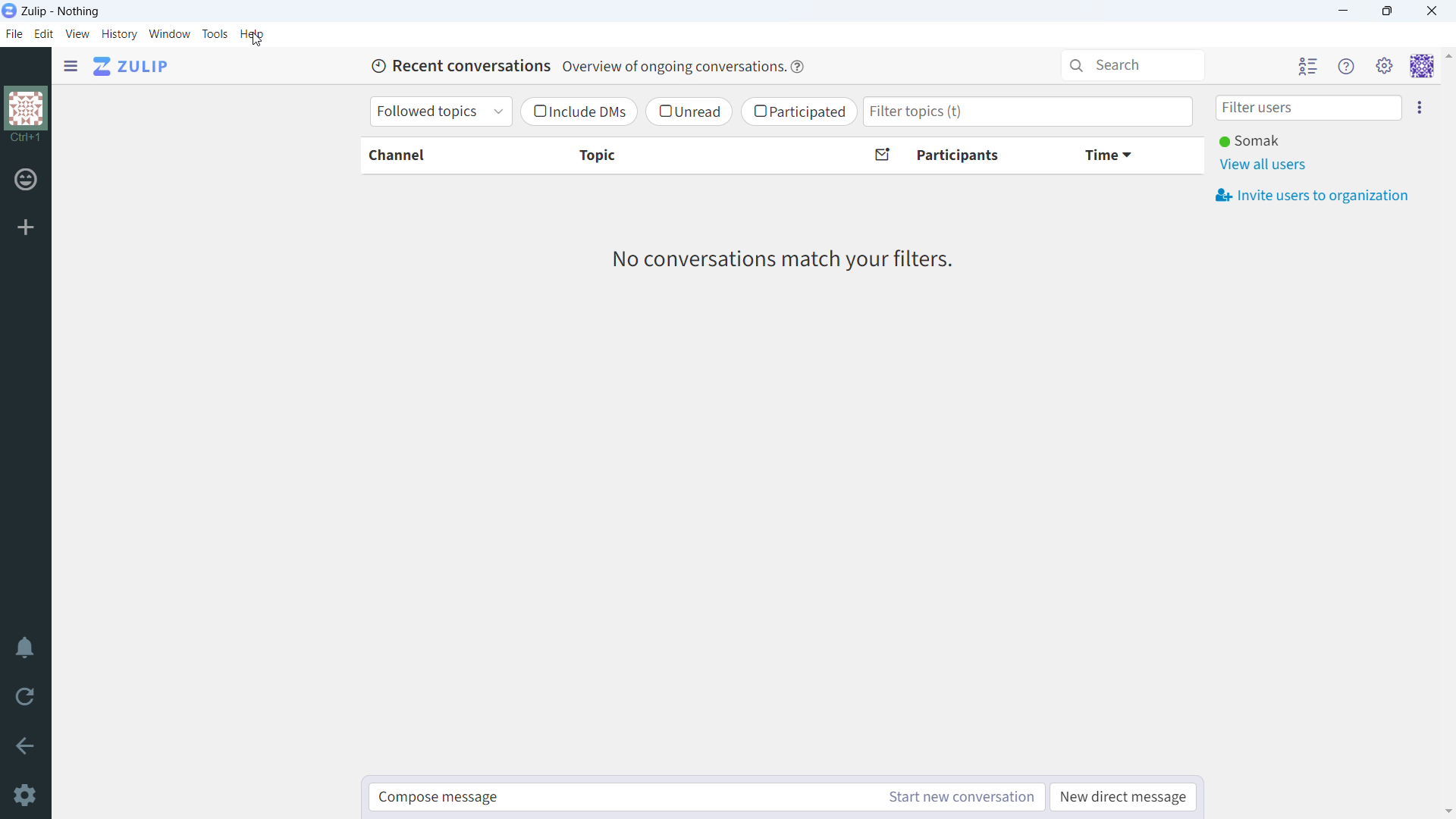  What do you see at coordinates (29, 115) in the screenshot?
I see `logo` at bounding box center [29, 115].